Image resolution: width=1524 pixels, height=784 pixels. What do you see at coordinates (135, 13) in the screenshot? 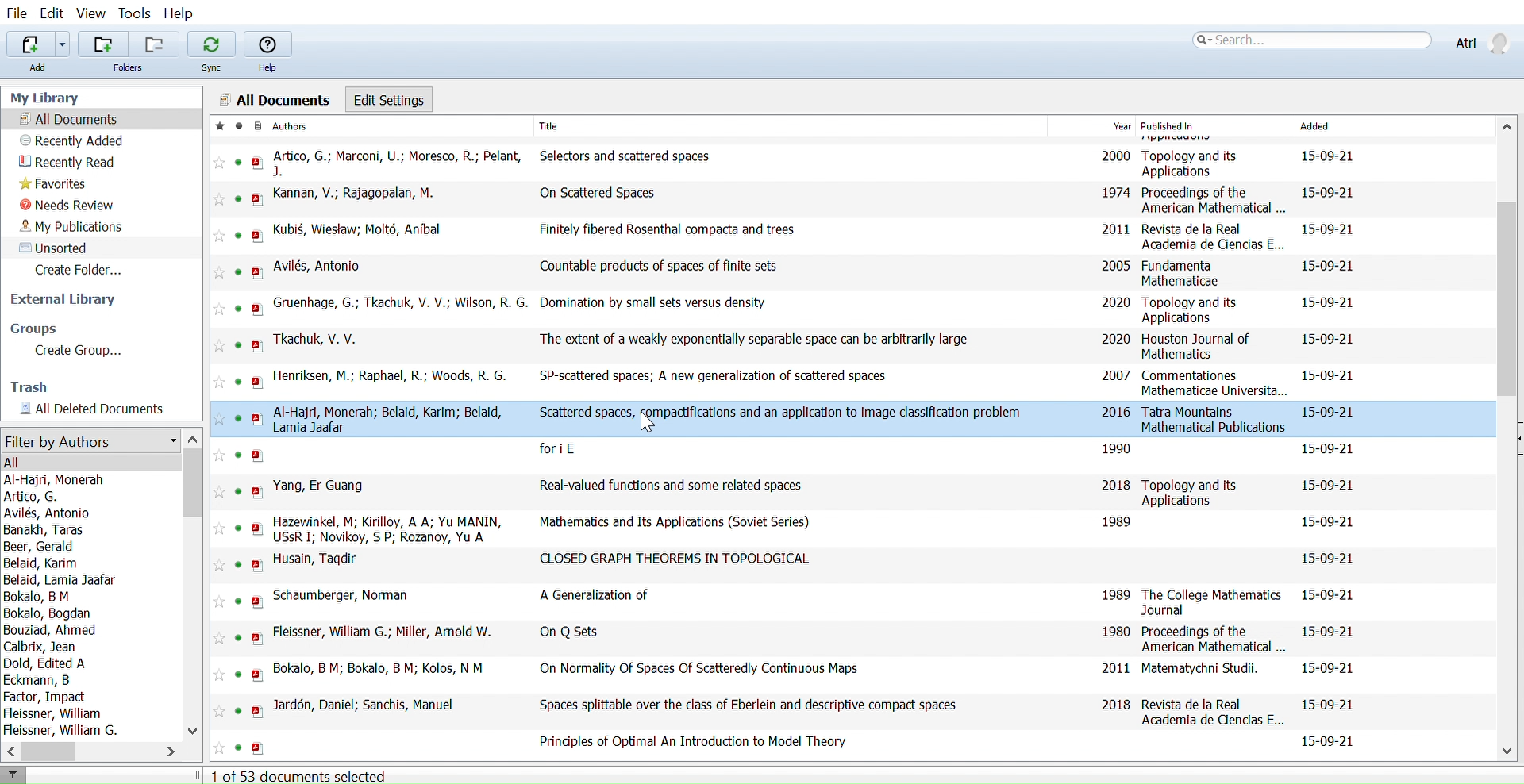
I see `Tools` at bounding box center [135, 13].